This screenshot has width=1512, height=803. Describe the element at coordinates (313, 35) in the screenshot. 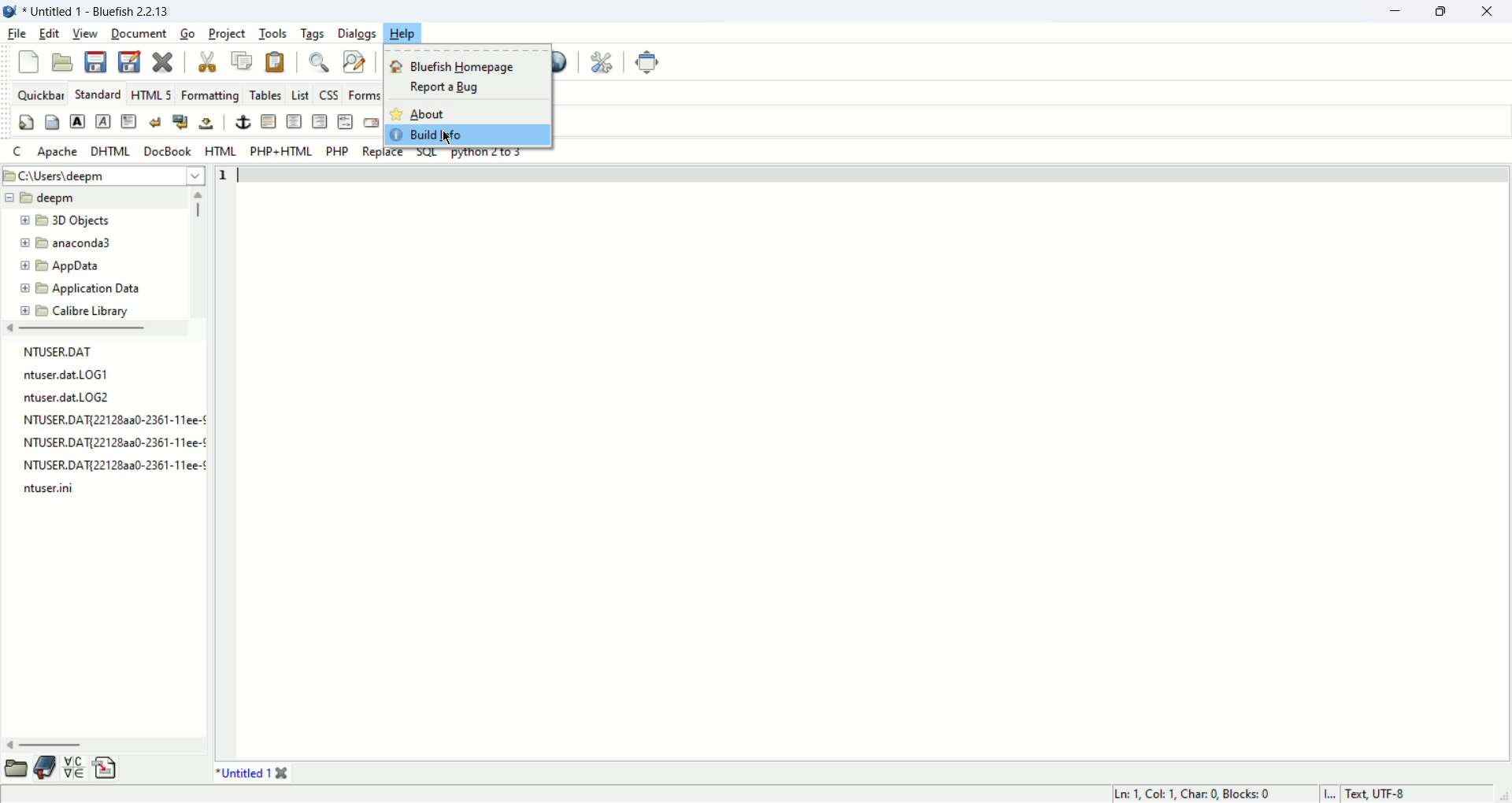

I see `tags` at that location.